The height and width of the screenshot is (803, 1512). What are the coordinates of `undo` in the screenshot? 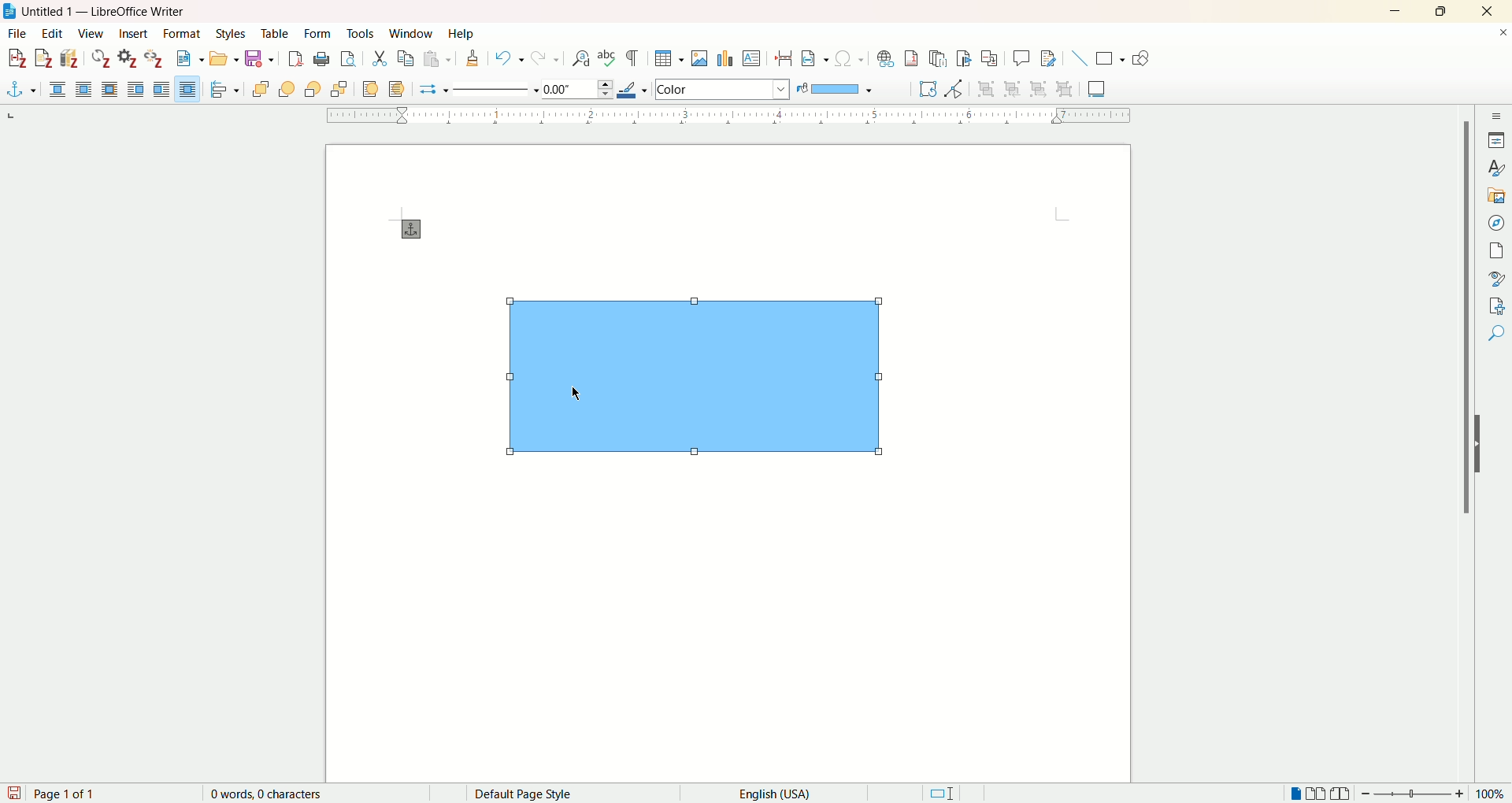 It's located at (507, 57).